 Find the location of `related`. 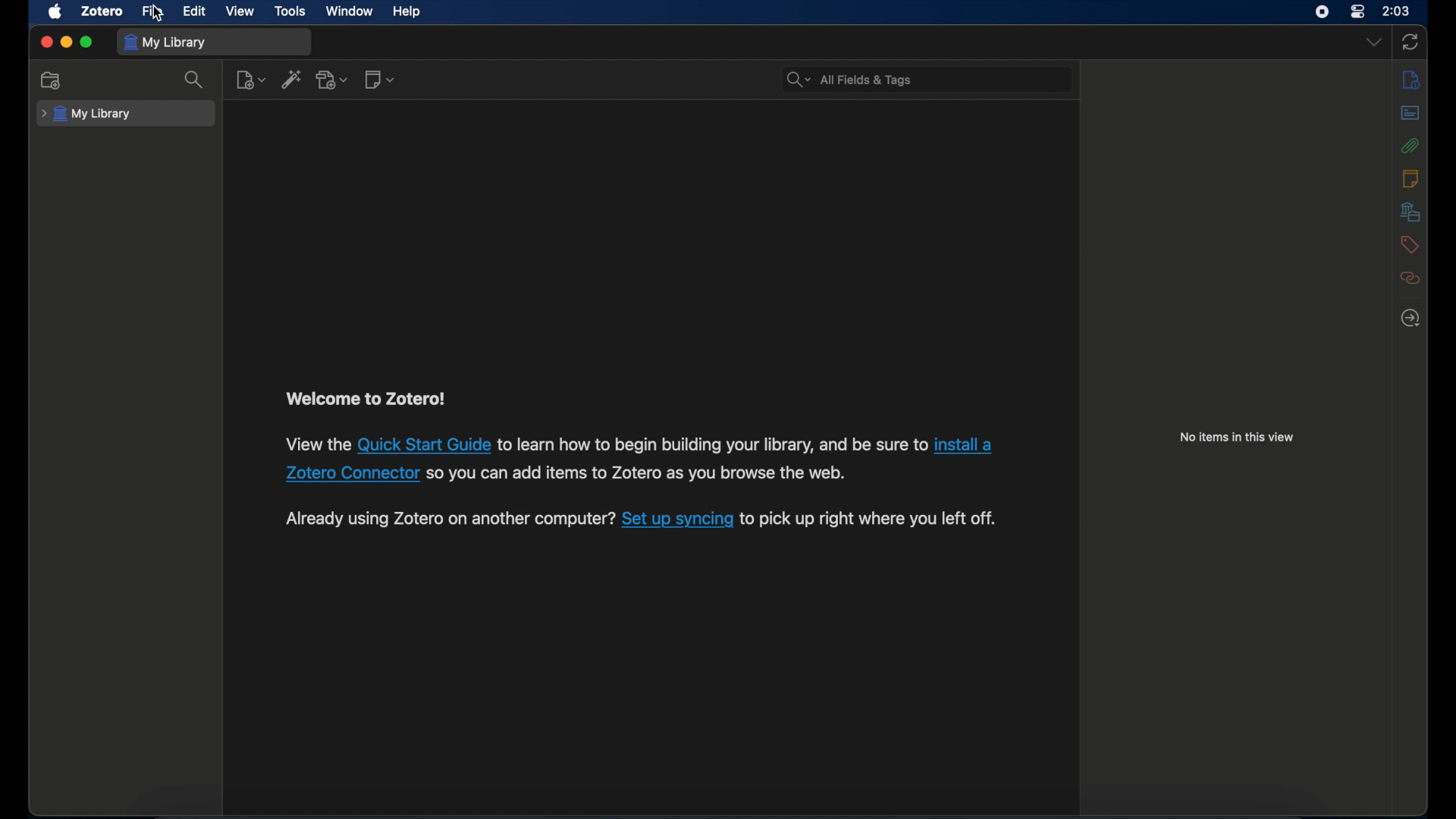

related is located at coordinates (1410, 278).